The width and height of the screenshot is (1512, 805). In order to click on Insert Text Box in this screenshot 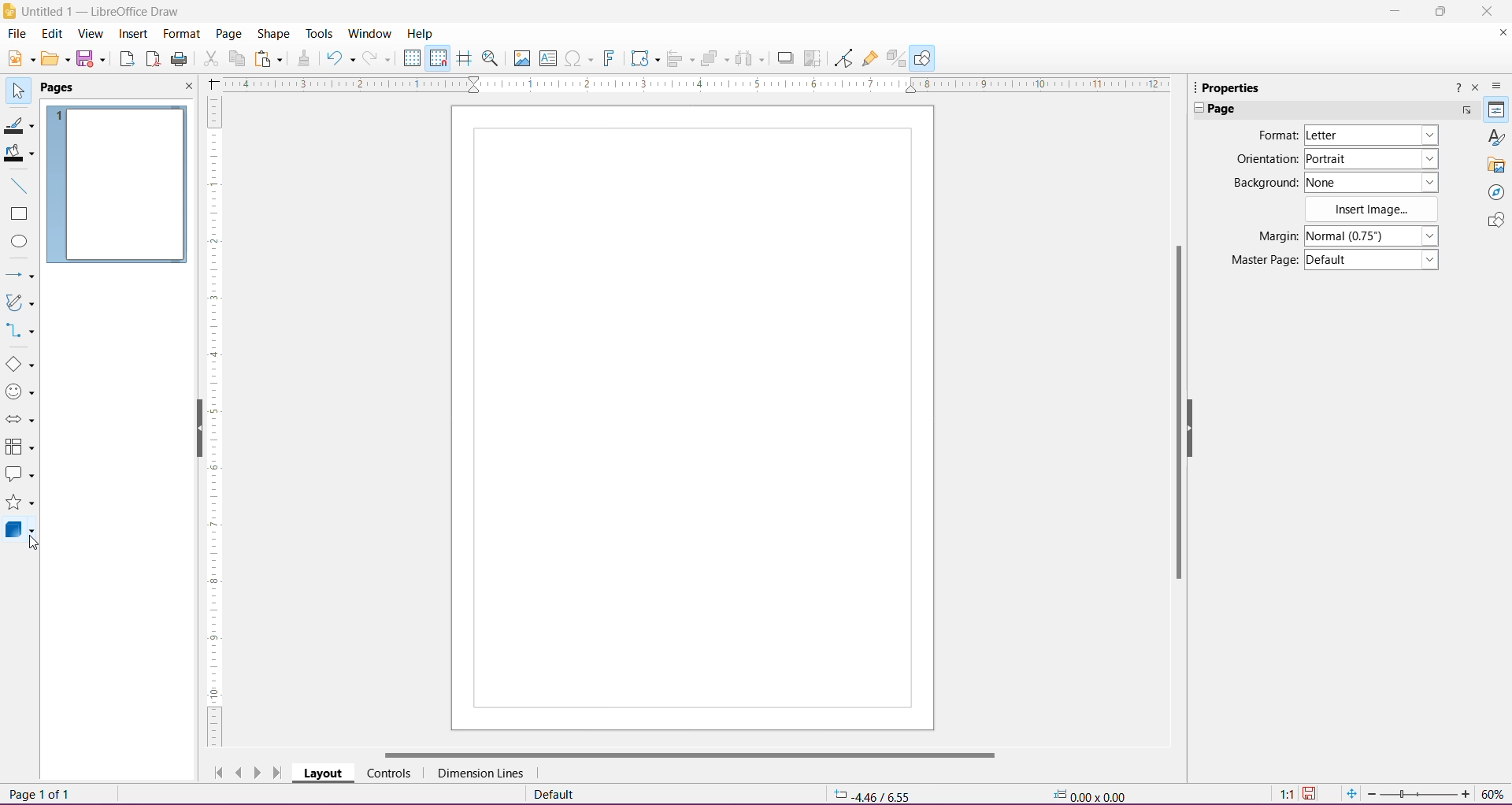, I will do `click(548, 57)`.